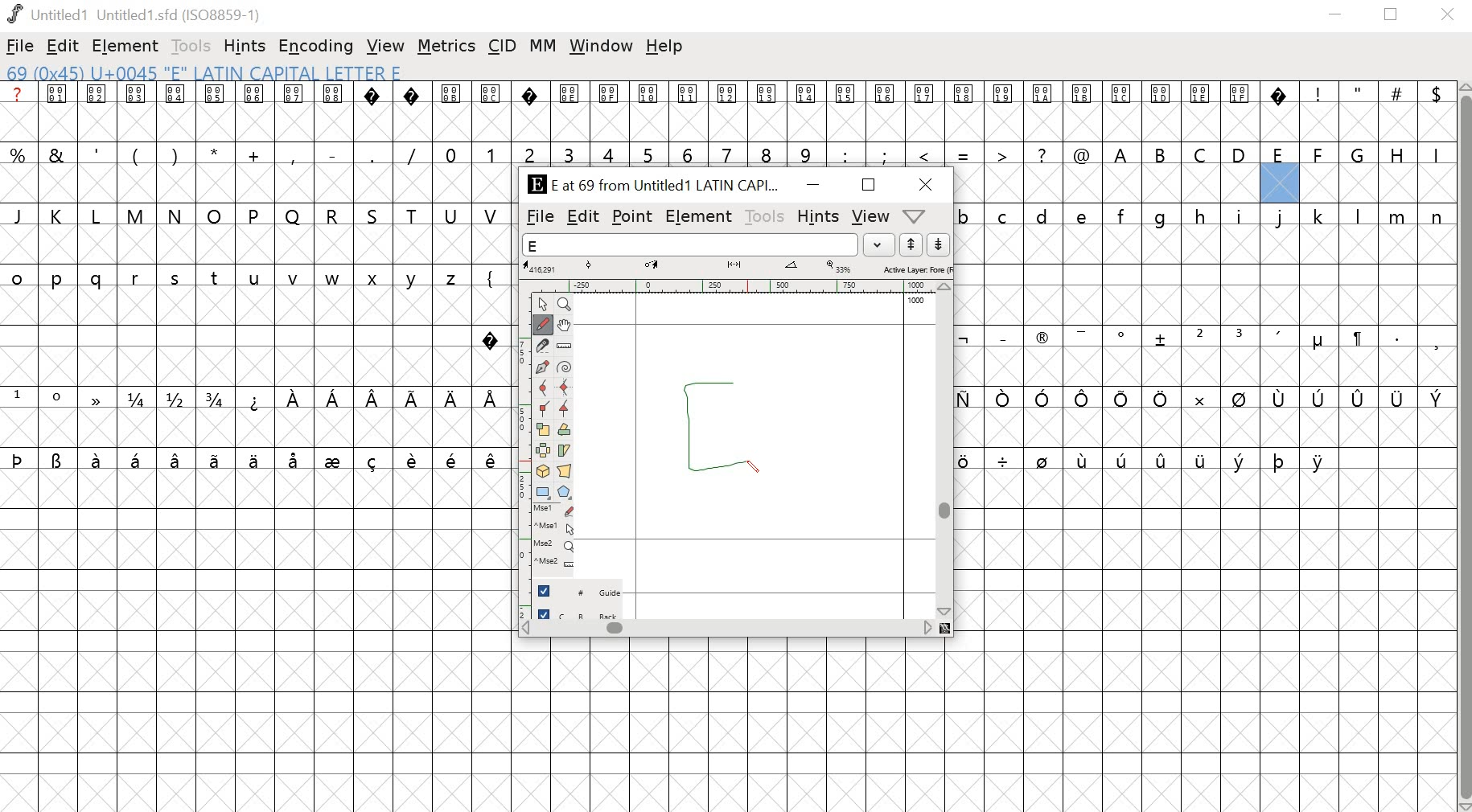 The image size is (1472, 812). Describe the element at coordinates (565, 388) in the screenshot. I see `HV Curve` at that location.